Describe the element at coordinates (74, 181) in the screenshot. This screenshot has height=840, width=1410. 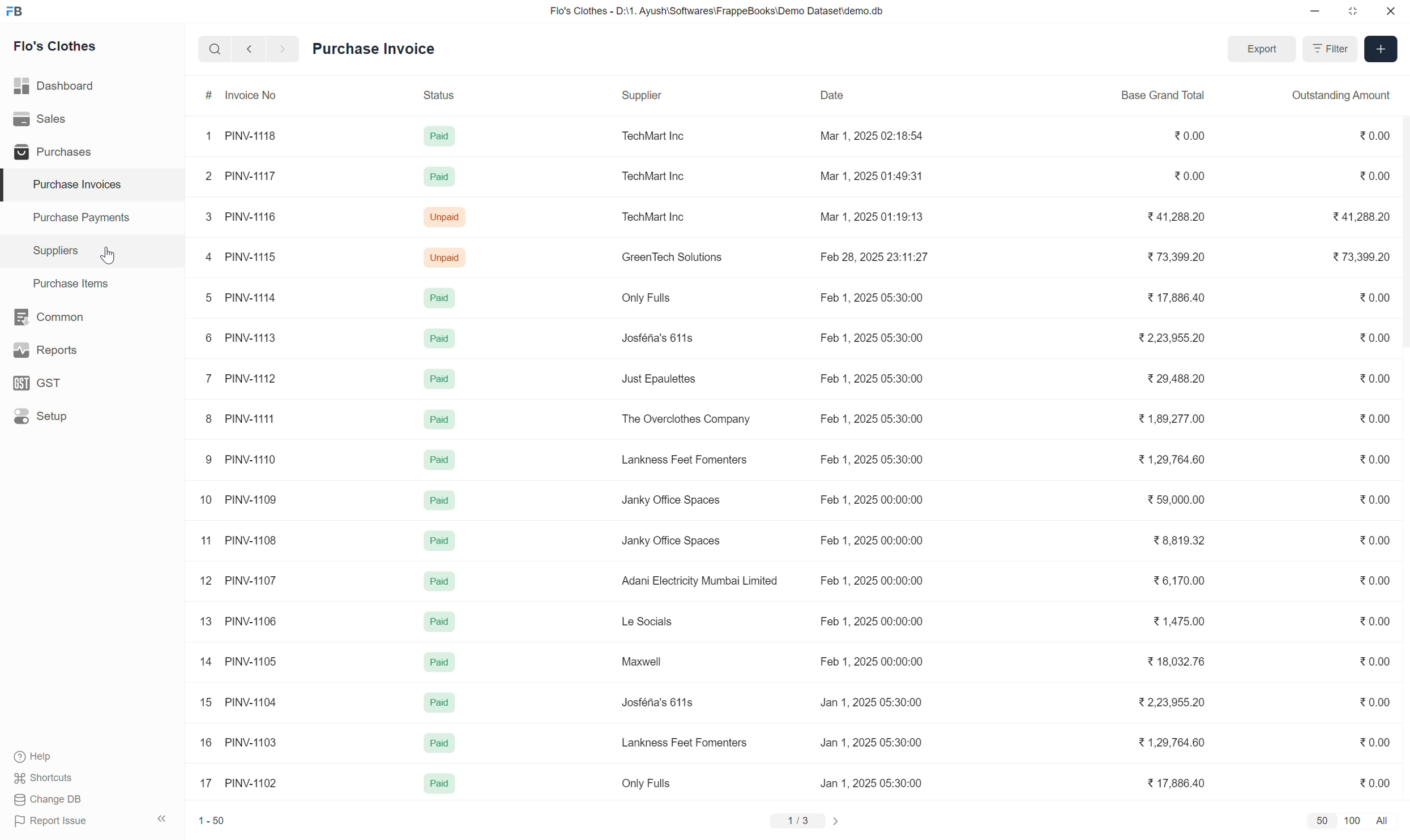
I see `Purchase Invoices` at that location.